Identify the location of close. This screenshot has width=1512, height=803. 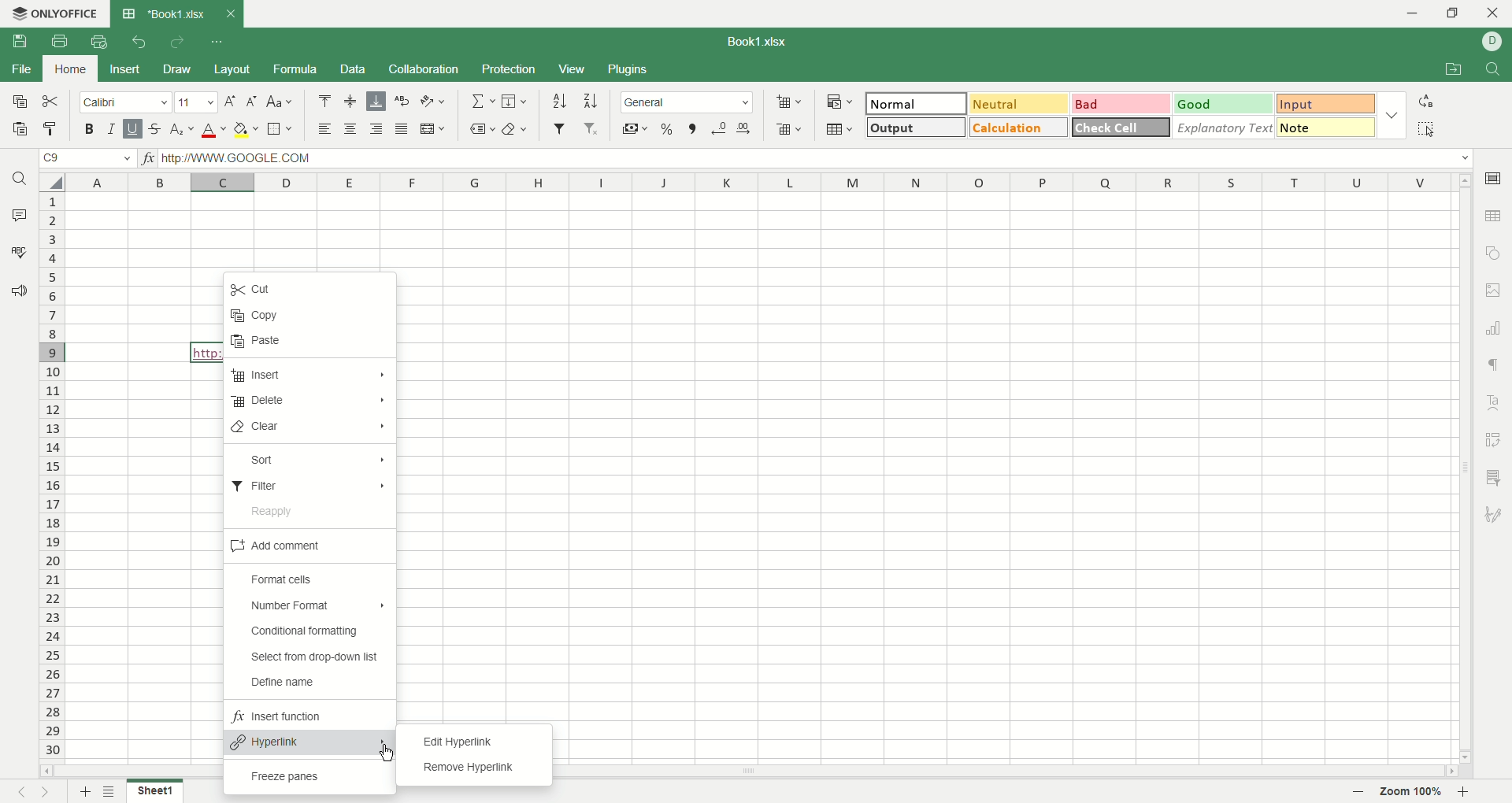
(1493, 13).